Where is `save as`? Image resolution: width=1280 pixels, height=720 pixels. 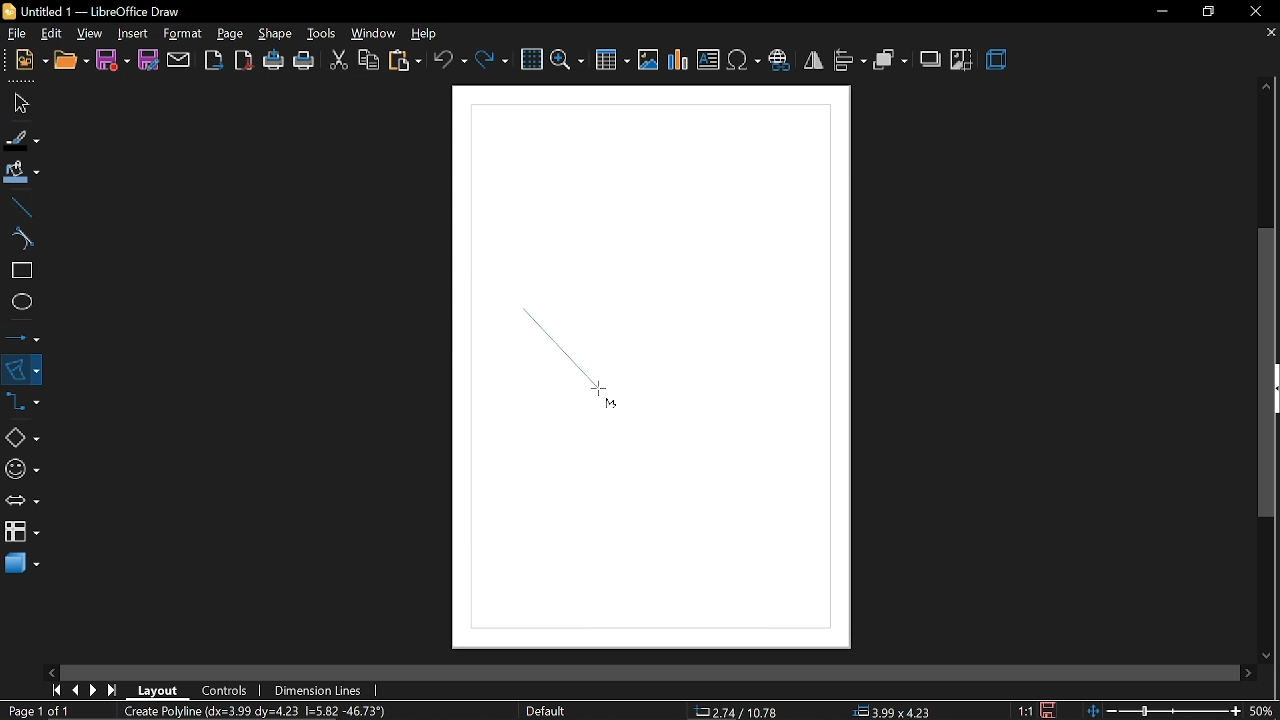 save as is located at coordinates (148, 61).